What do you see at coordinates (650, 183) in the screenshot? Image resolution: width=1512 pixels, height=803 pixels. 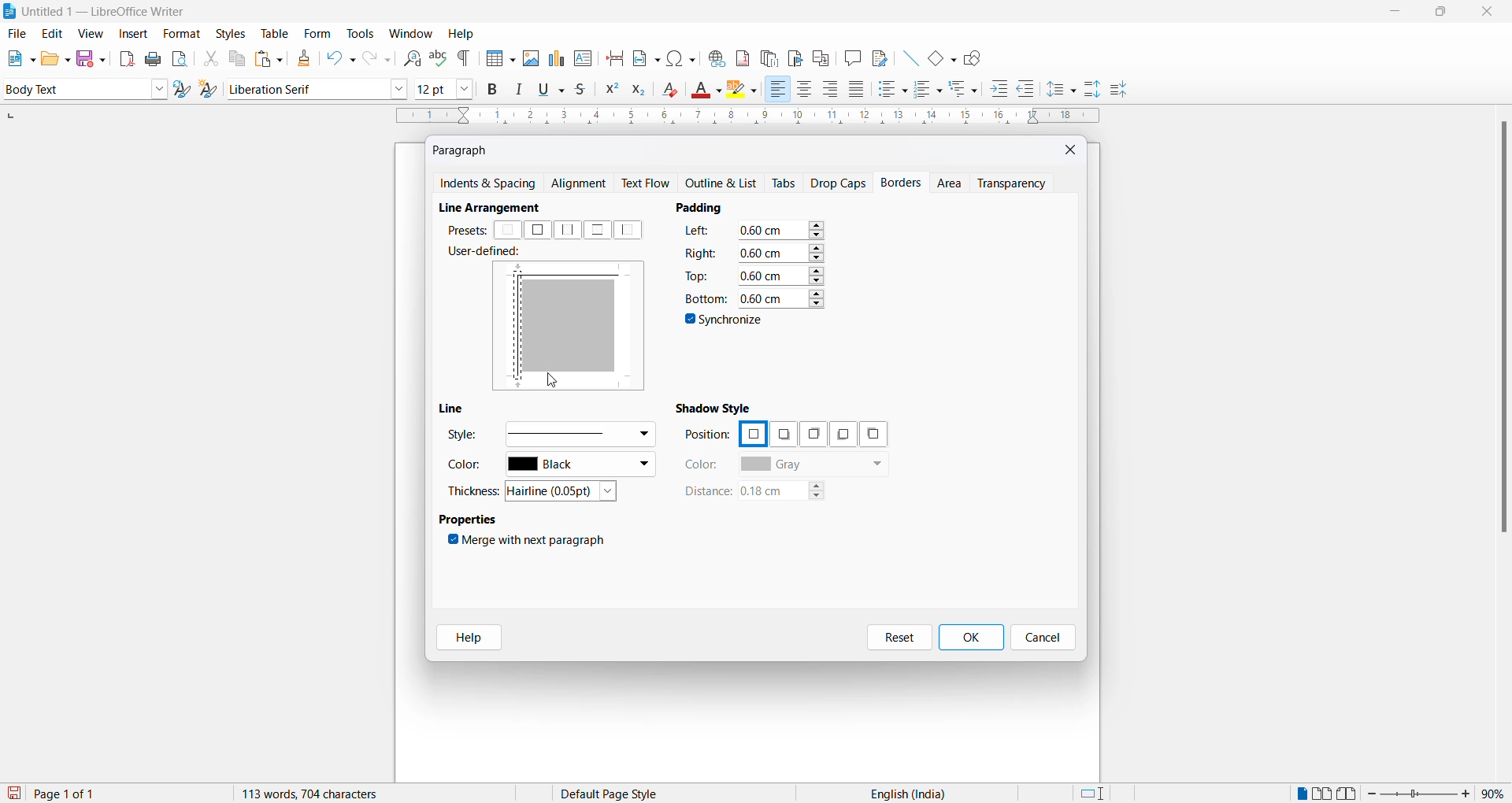 I see `text flow` at bounding box center [650, 183].